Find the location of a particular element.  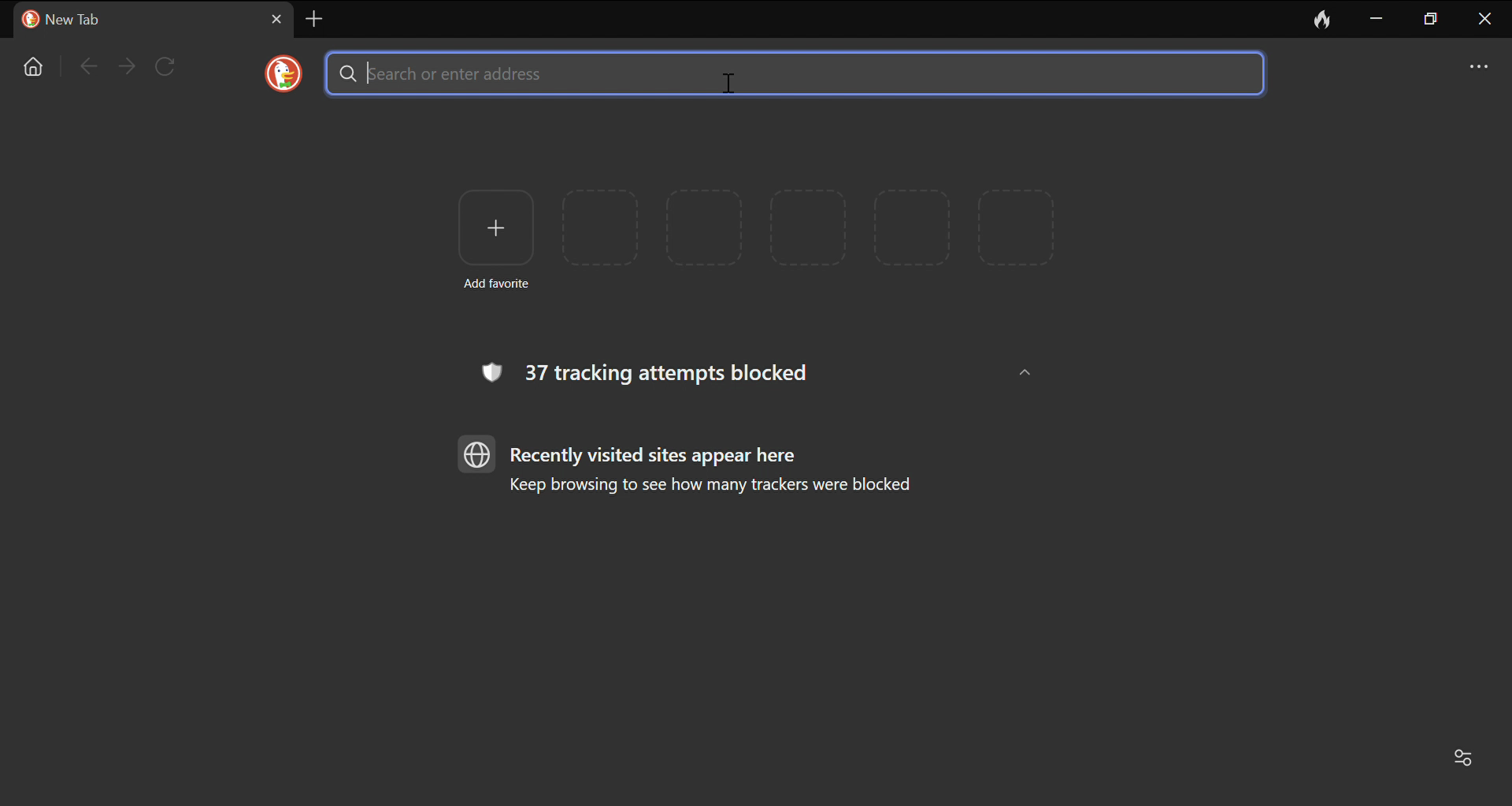

information on how many tracking attempts blocked is located at coordinates (650, 372).